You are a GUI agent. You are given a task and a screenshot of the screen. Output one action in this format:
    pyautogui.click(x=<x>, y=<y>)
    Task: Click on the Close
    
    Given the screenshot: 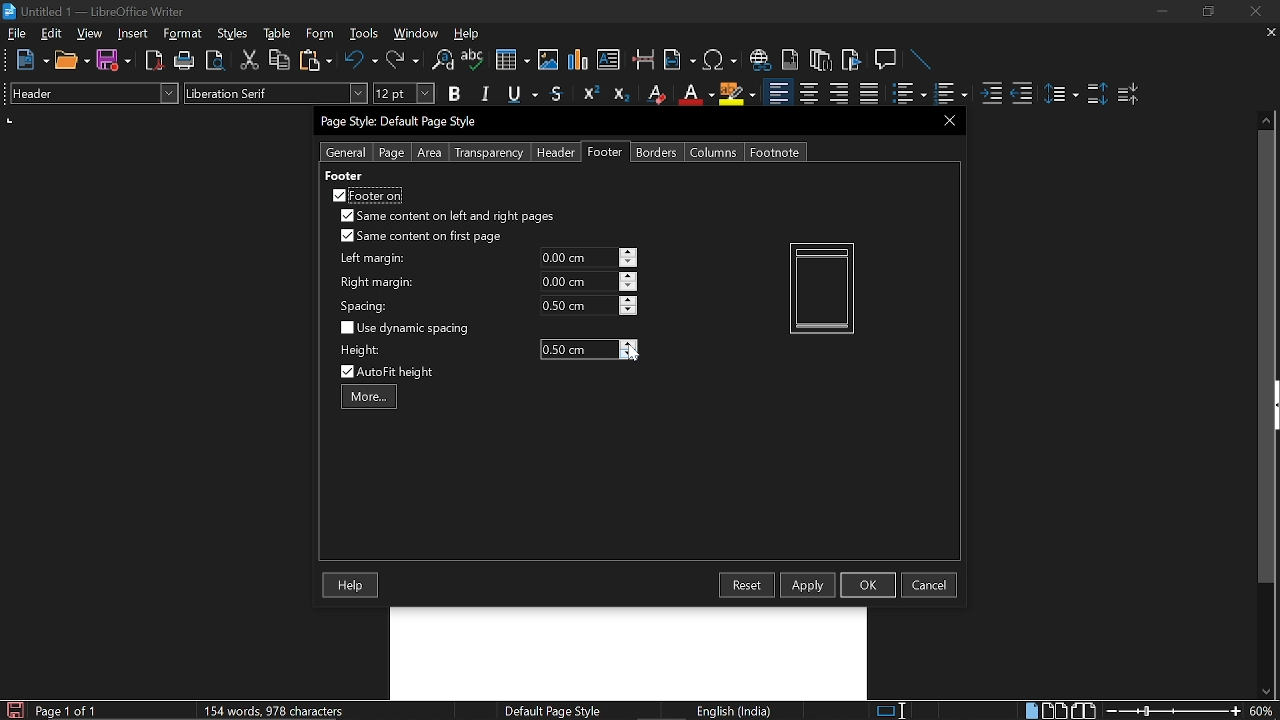 What is the action you would take?
    pyautogui.click(x=1254, y=12)
    